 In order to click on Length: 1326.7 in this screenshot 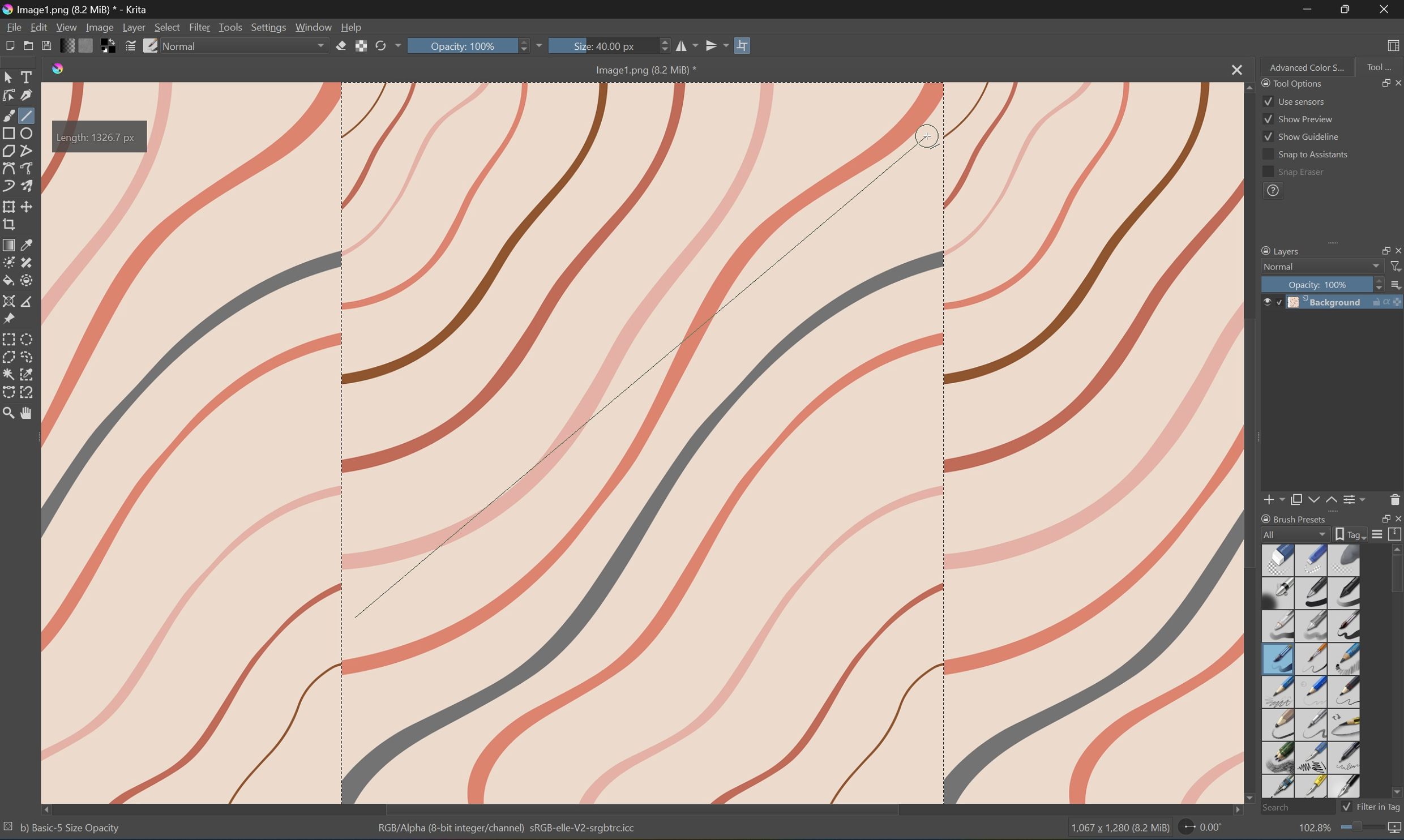, I will do `click(100, 138)`.